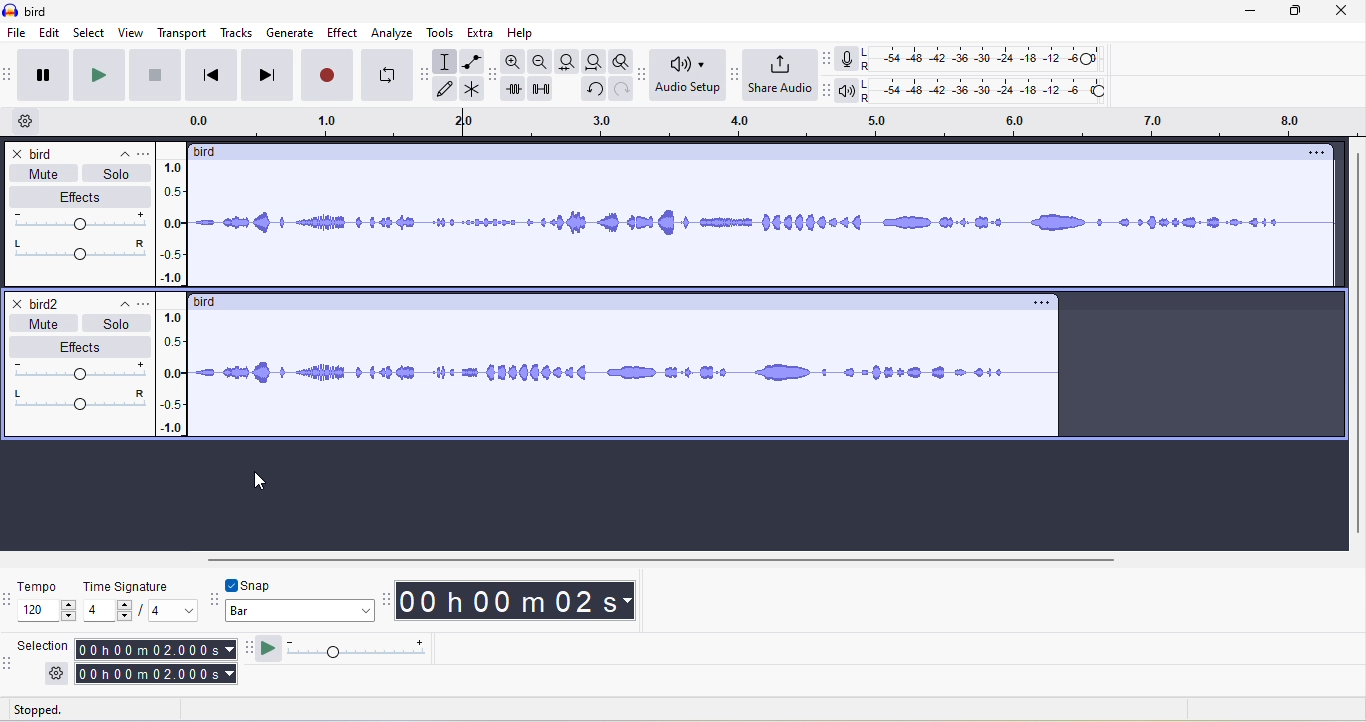 Image resolution: width=1366 pixels, height=722 pixels. What do you see at coordinates (588, 123) in the screenshot?
I see `click and drag to define a looping region` at bounding box center [588, 123].